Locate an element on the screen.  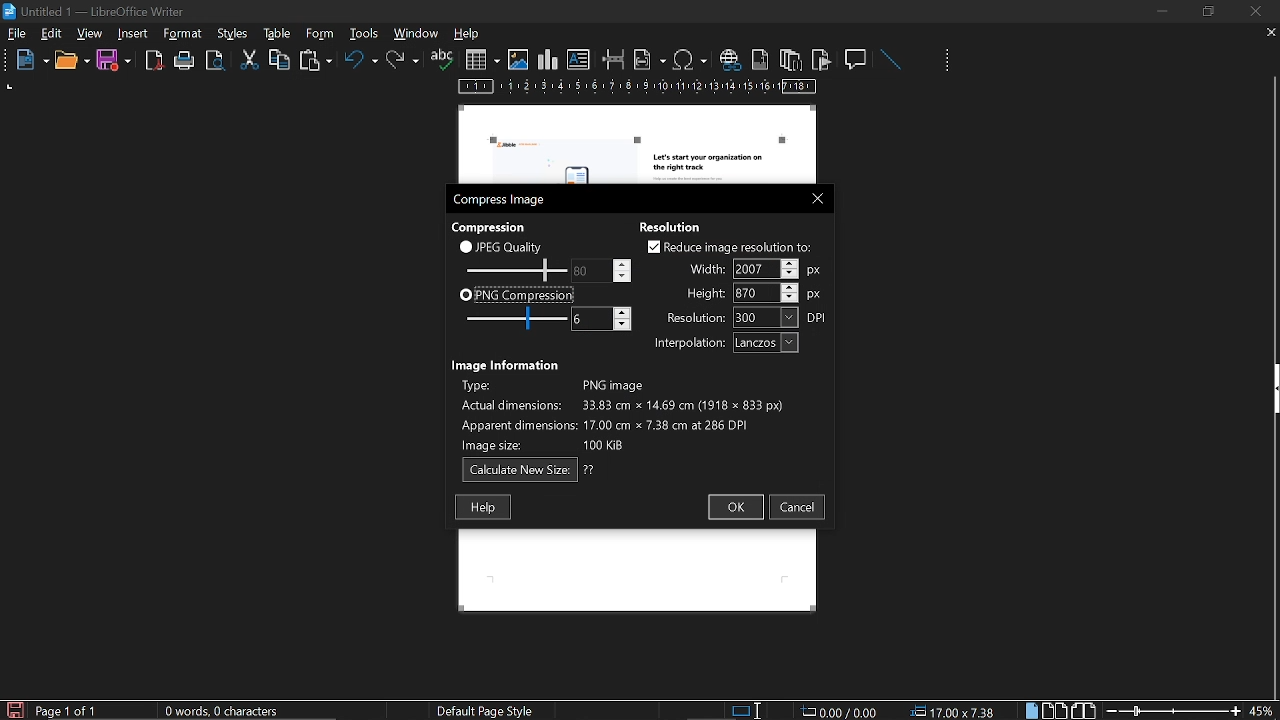
png compression is located at coordinates (517, 294).